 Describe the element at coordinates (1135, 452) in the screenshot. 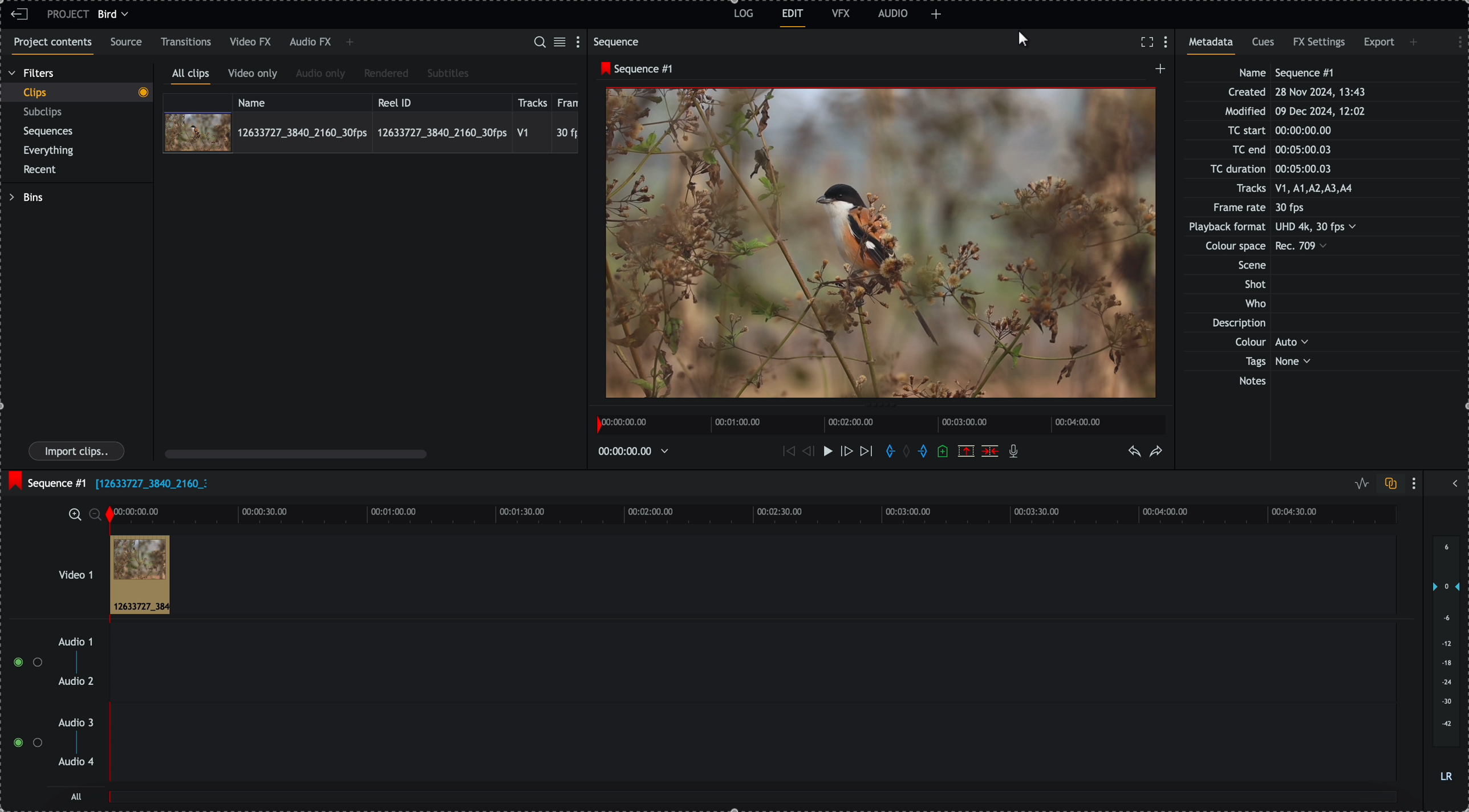

I see `undo` at that location.